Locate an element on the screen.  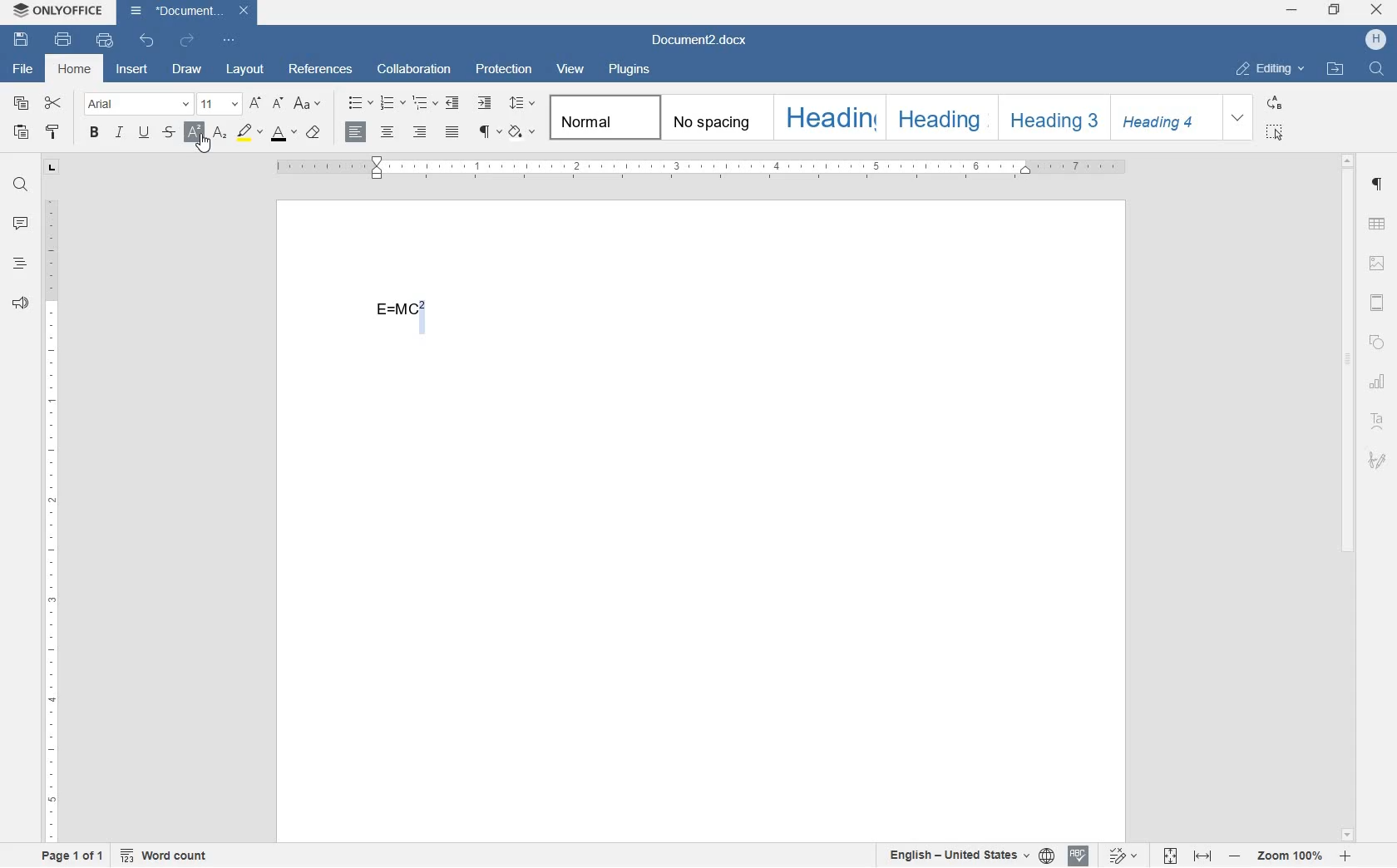
align center is located at coordinates (387, 131).